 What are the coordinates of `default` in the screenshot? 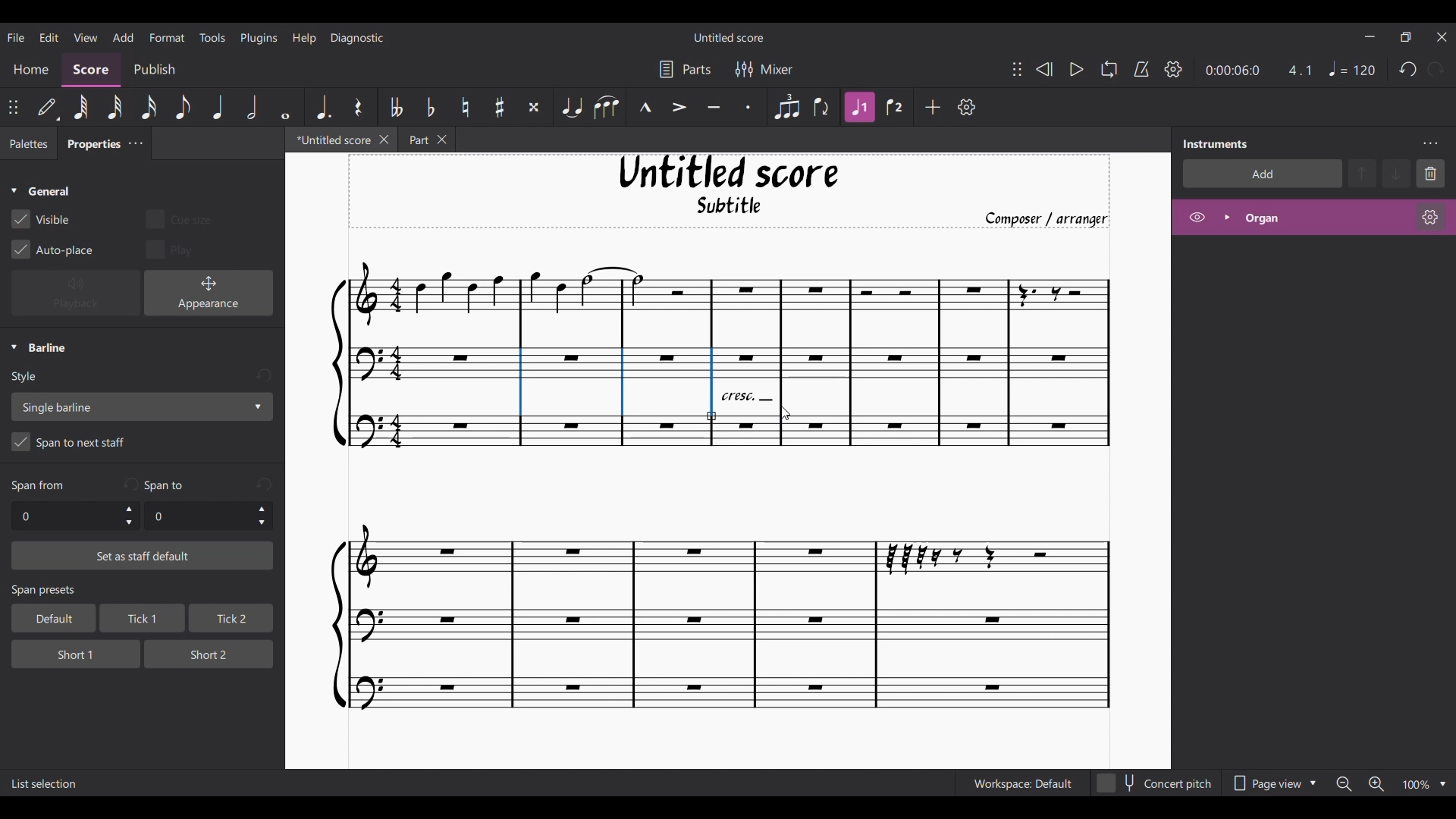 It's located at (49, 618).